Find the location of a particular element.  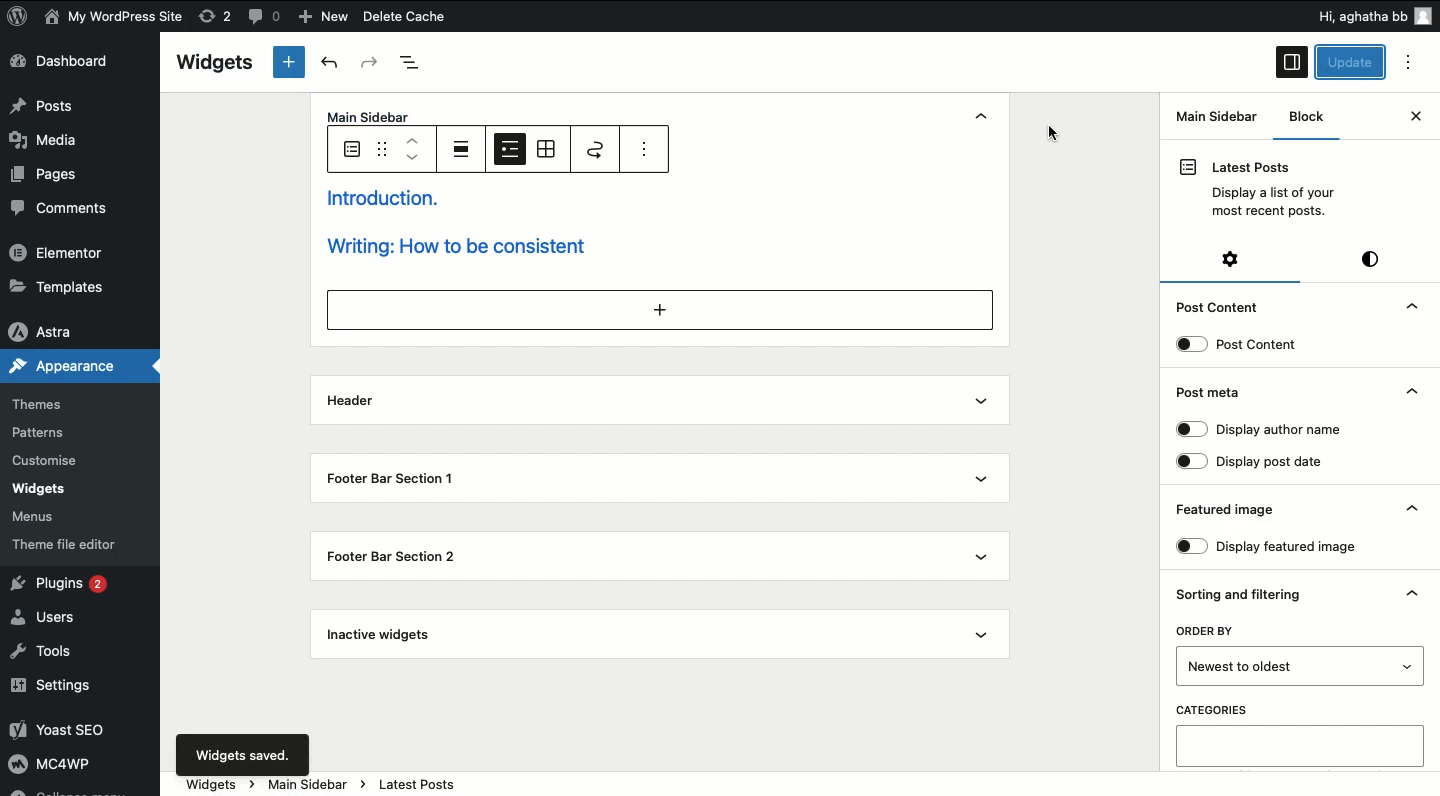

hide dropdown is located at coordinates (980, 117).